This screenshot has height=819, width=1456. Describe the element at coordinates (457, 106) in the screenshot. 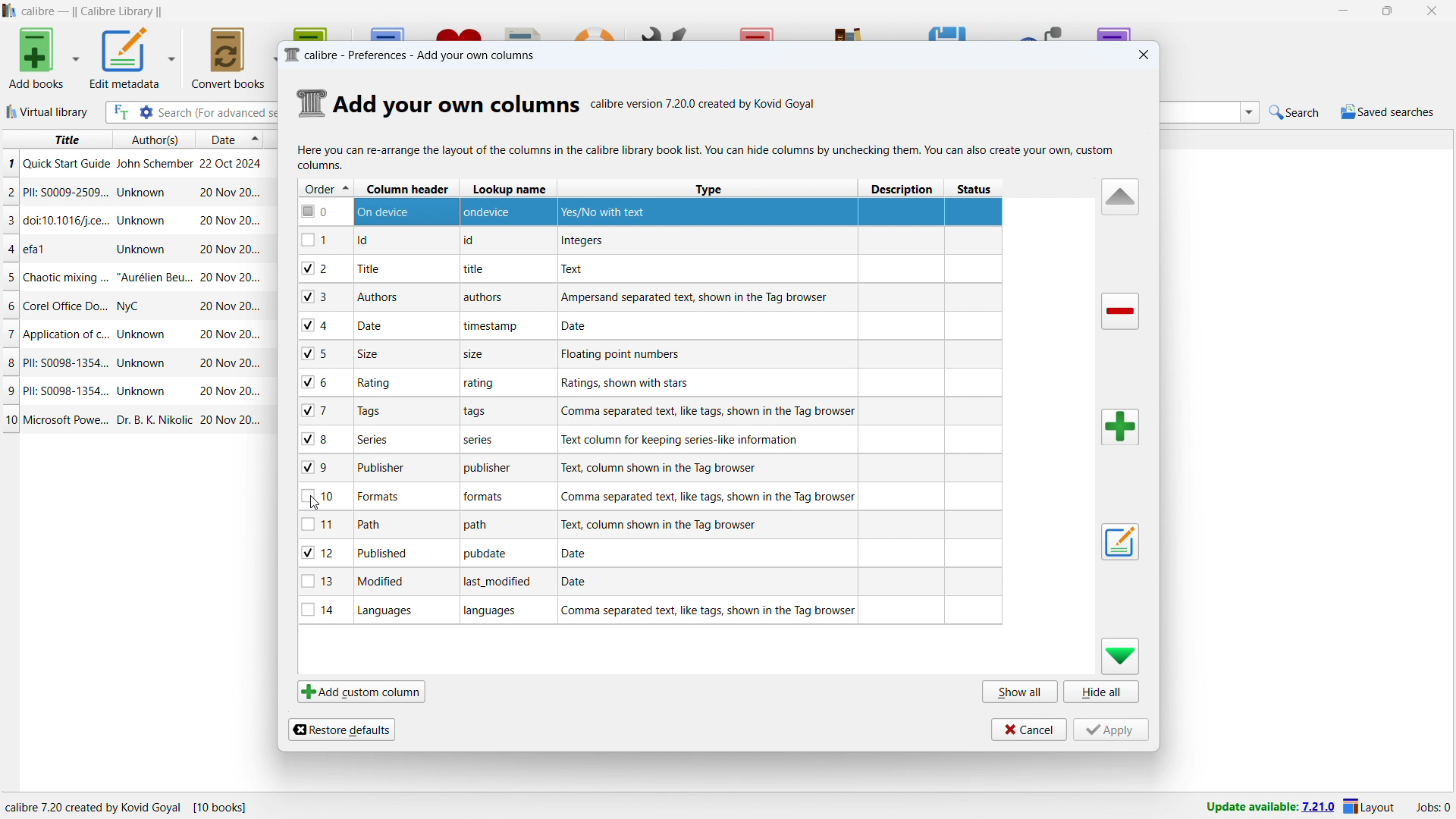

I see `Add your own columns` at that location.